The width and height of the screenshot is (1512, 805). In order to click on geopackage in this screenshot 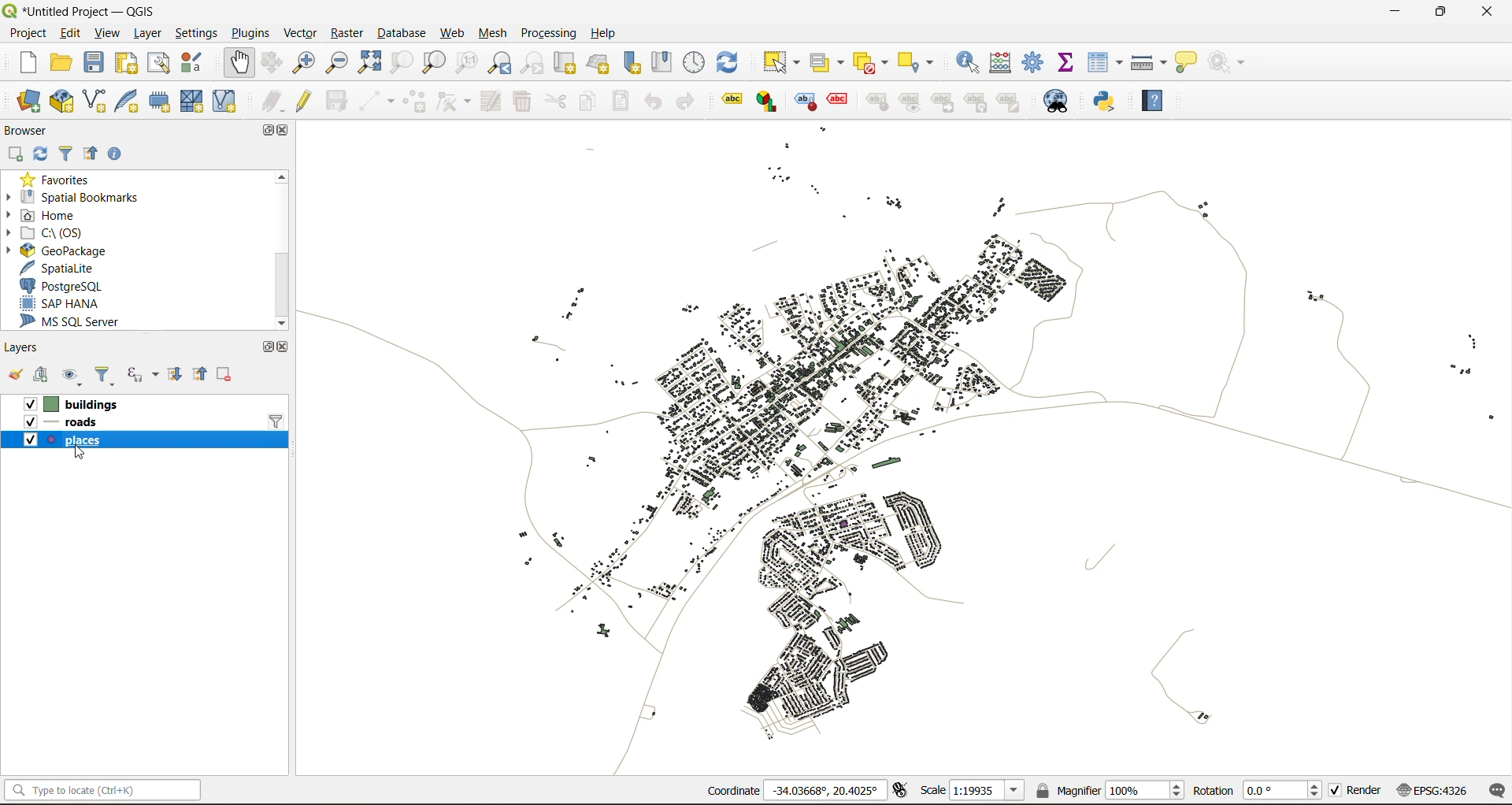, I will do `click(67, 250)`.